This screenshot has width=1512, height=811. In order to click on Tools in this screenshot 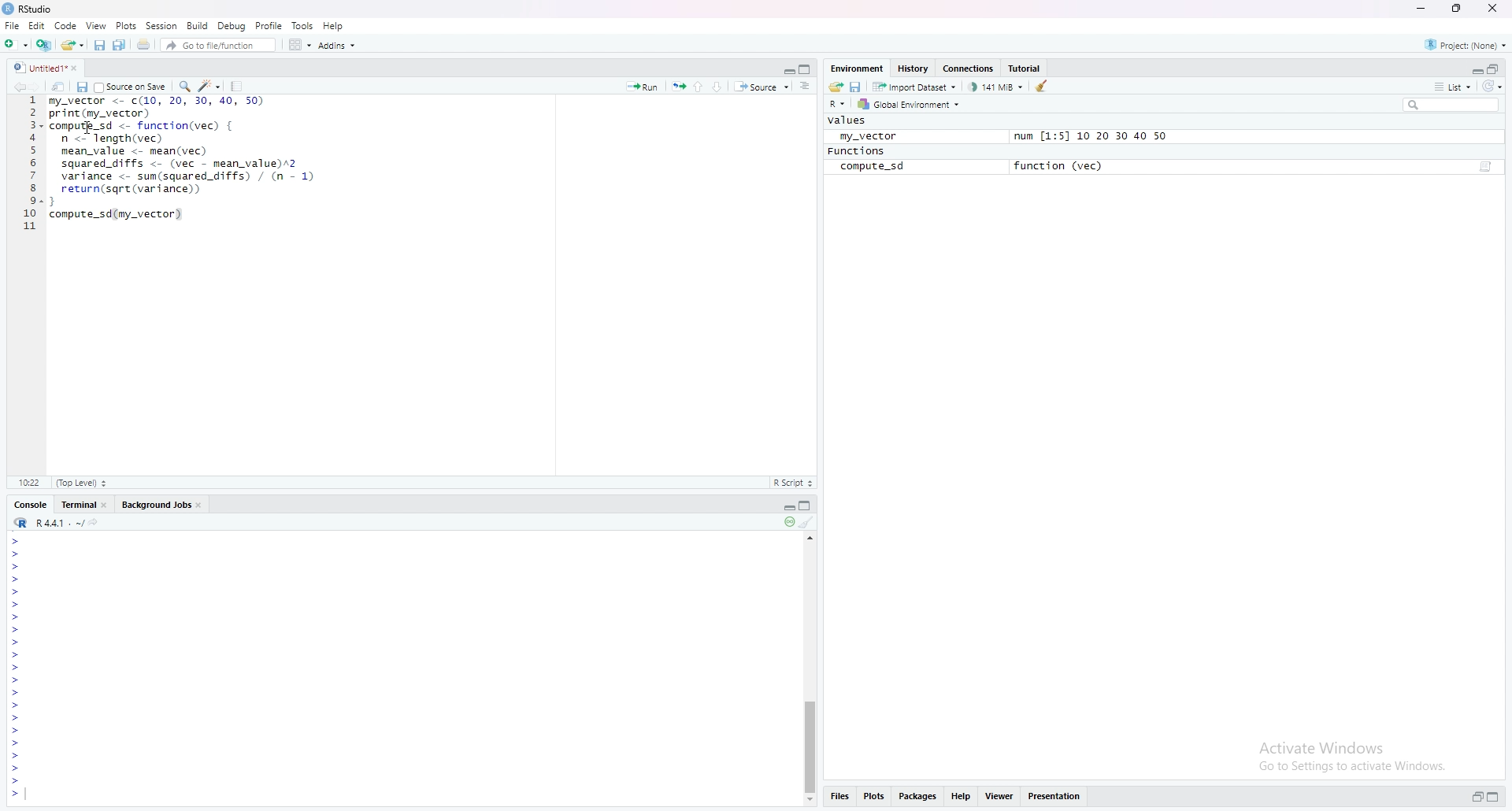, I will do `click(302, 26)`.